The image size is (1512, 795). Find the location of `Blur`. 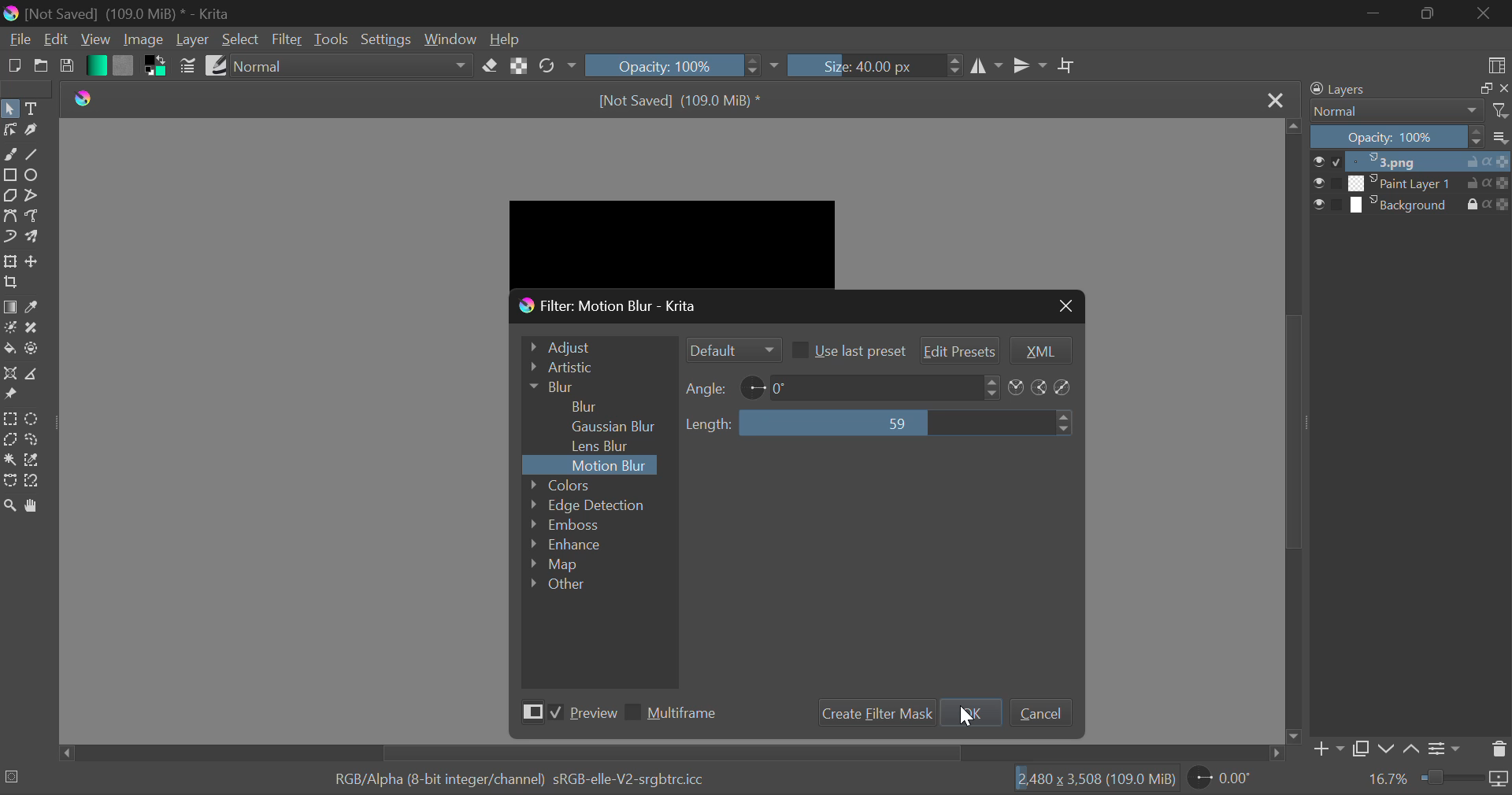

Blur is located at coordinates (595, 386).